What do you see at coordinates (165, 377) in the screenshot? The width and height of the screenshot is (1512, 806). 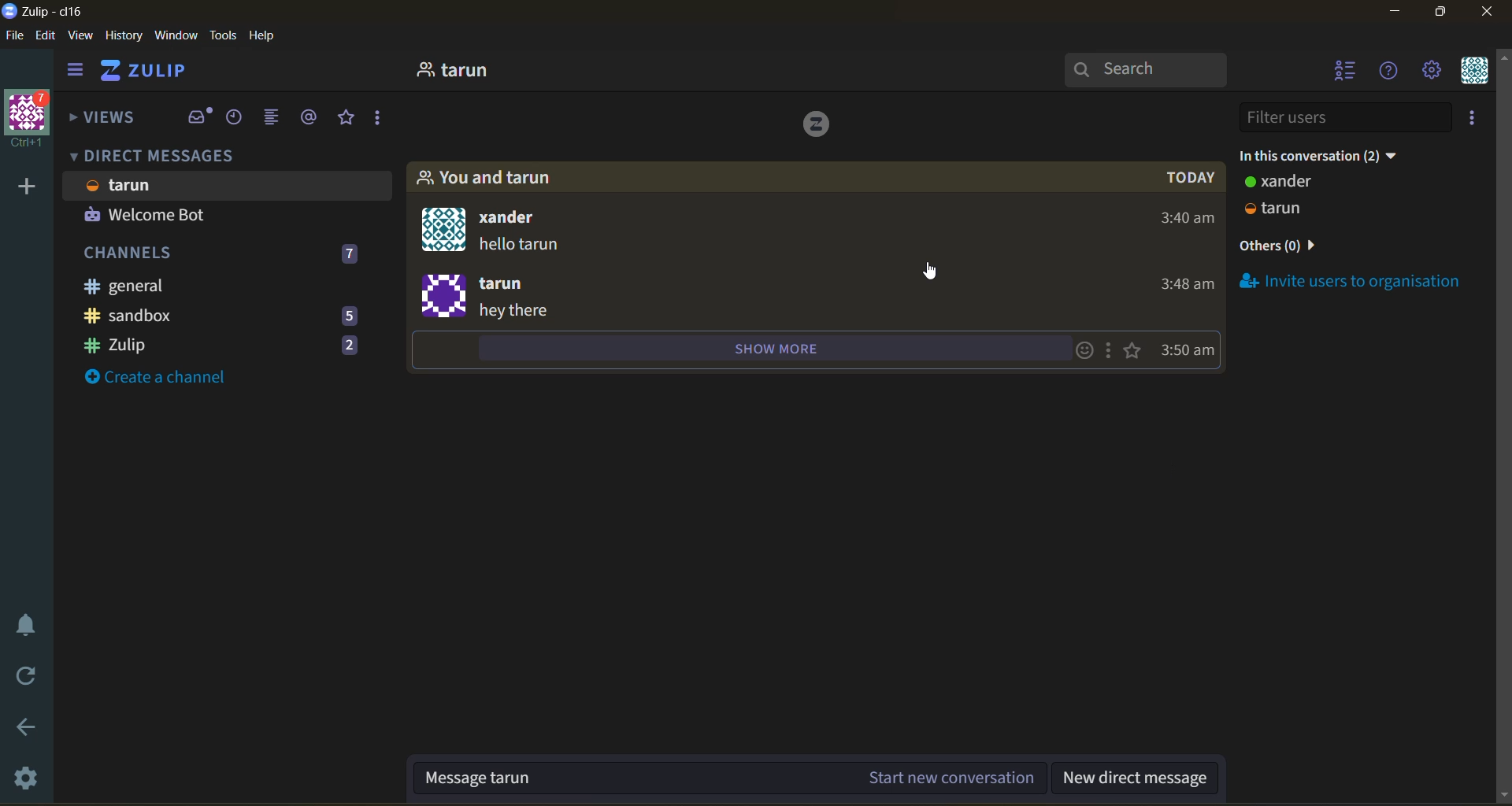 I see `create a channel` at bounding box center [165, 377].